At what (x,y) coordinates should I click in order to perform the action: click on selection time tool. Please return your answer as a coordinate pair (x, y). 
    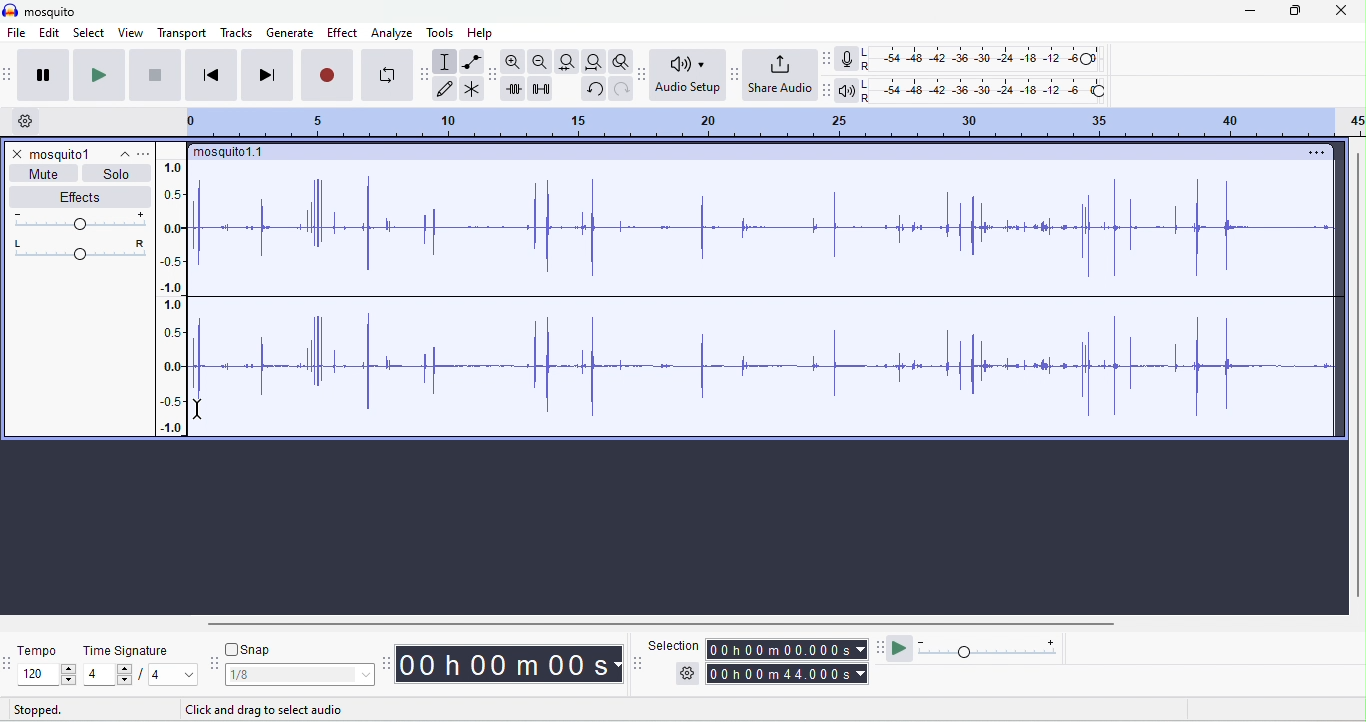
    Looking at the image, I should click on (639, 663).